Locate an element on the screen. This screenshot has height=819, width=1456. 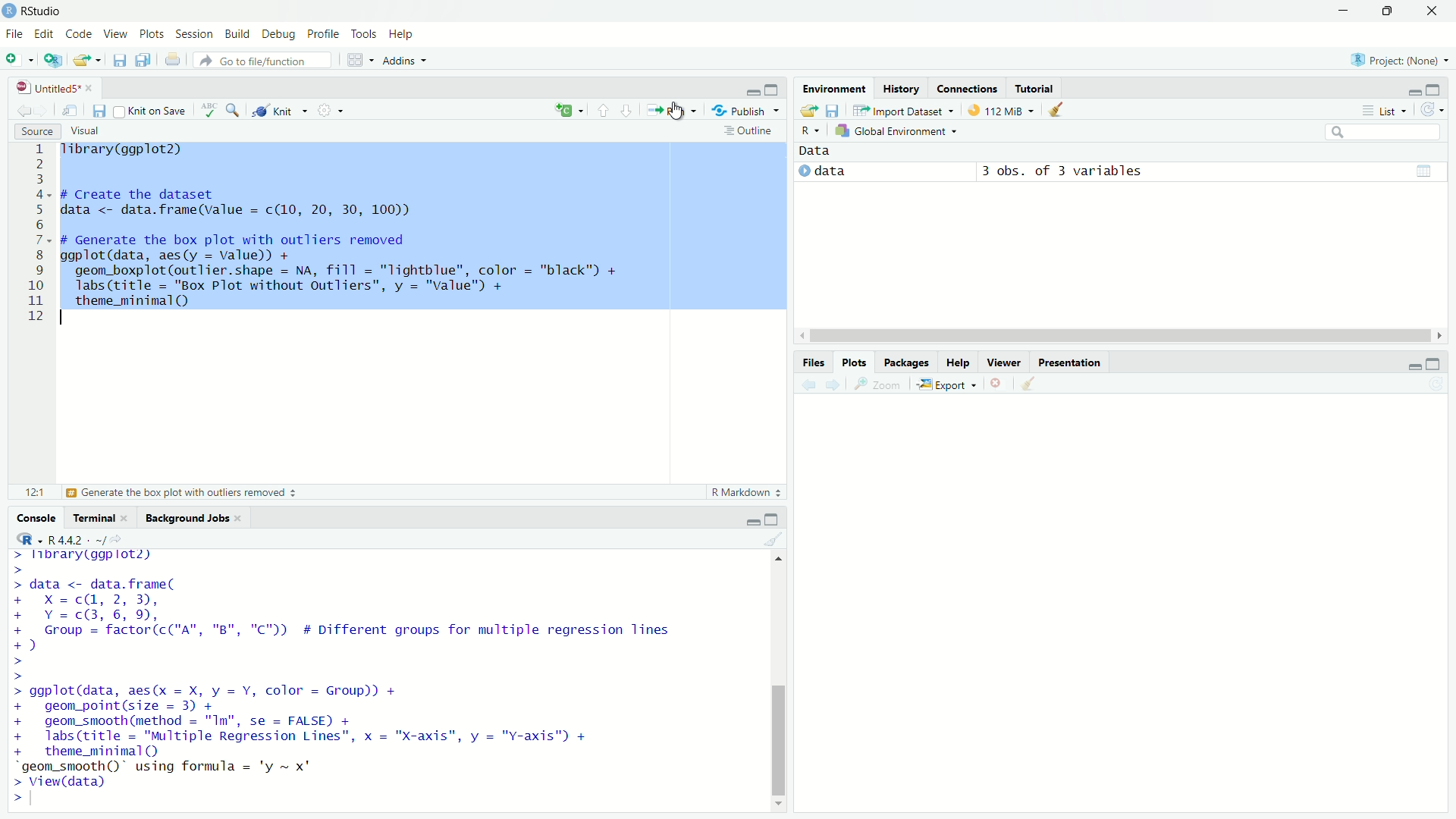
minimise is located at coordinates (1405, 90).